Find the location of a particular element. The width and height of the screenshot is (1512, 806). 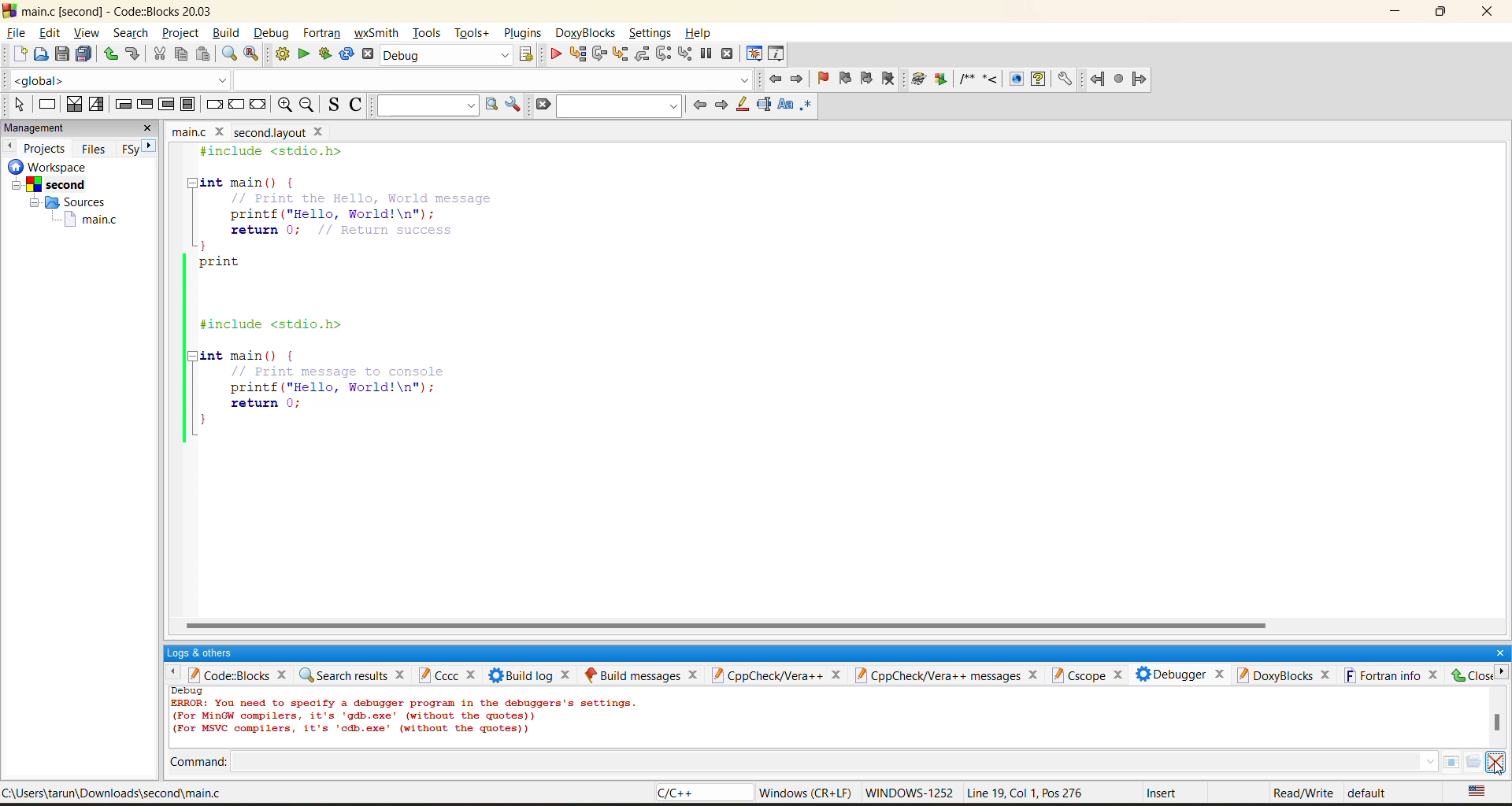

debugger is located at coordinates (1184, 676).